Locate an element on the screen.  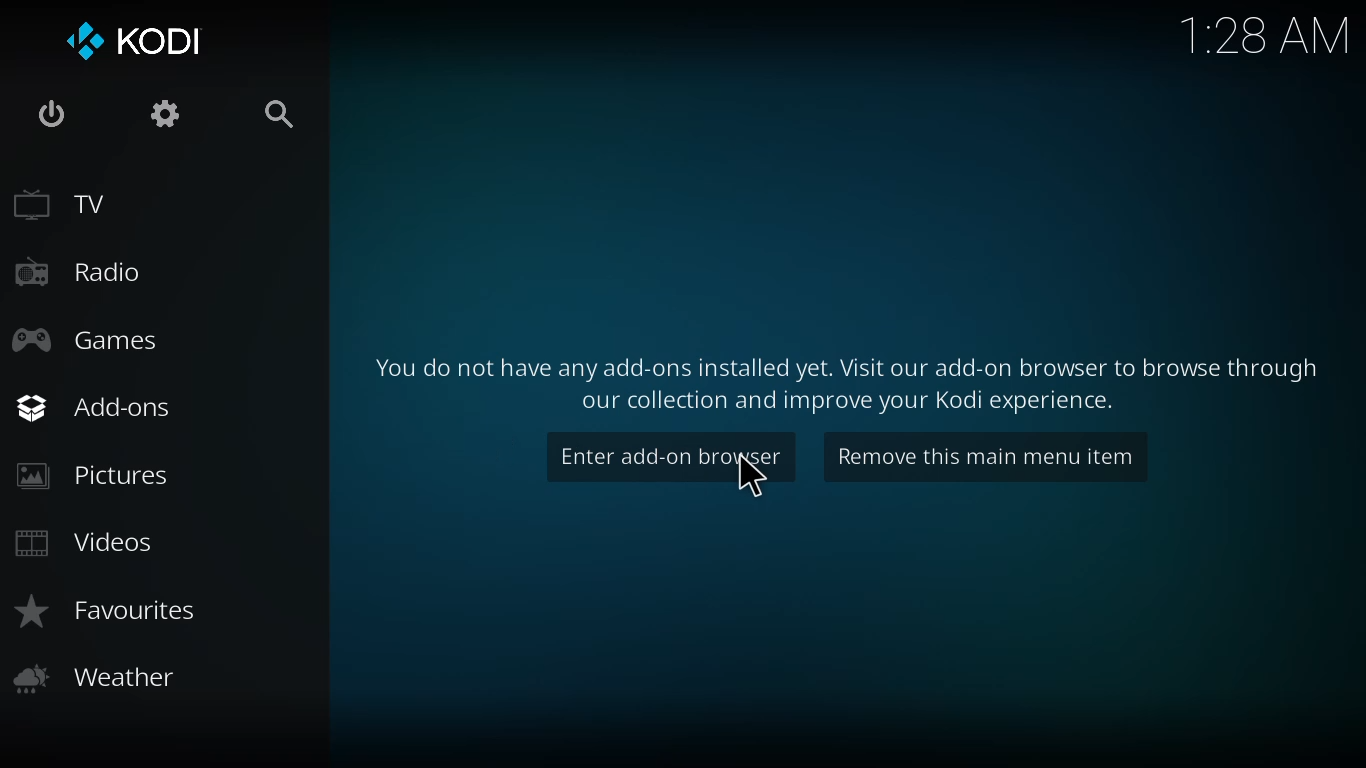
favorites is located at coordinates (110, 611).